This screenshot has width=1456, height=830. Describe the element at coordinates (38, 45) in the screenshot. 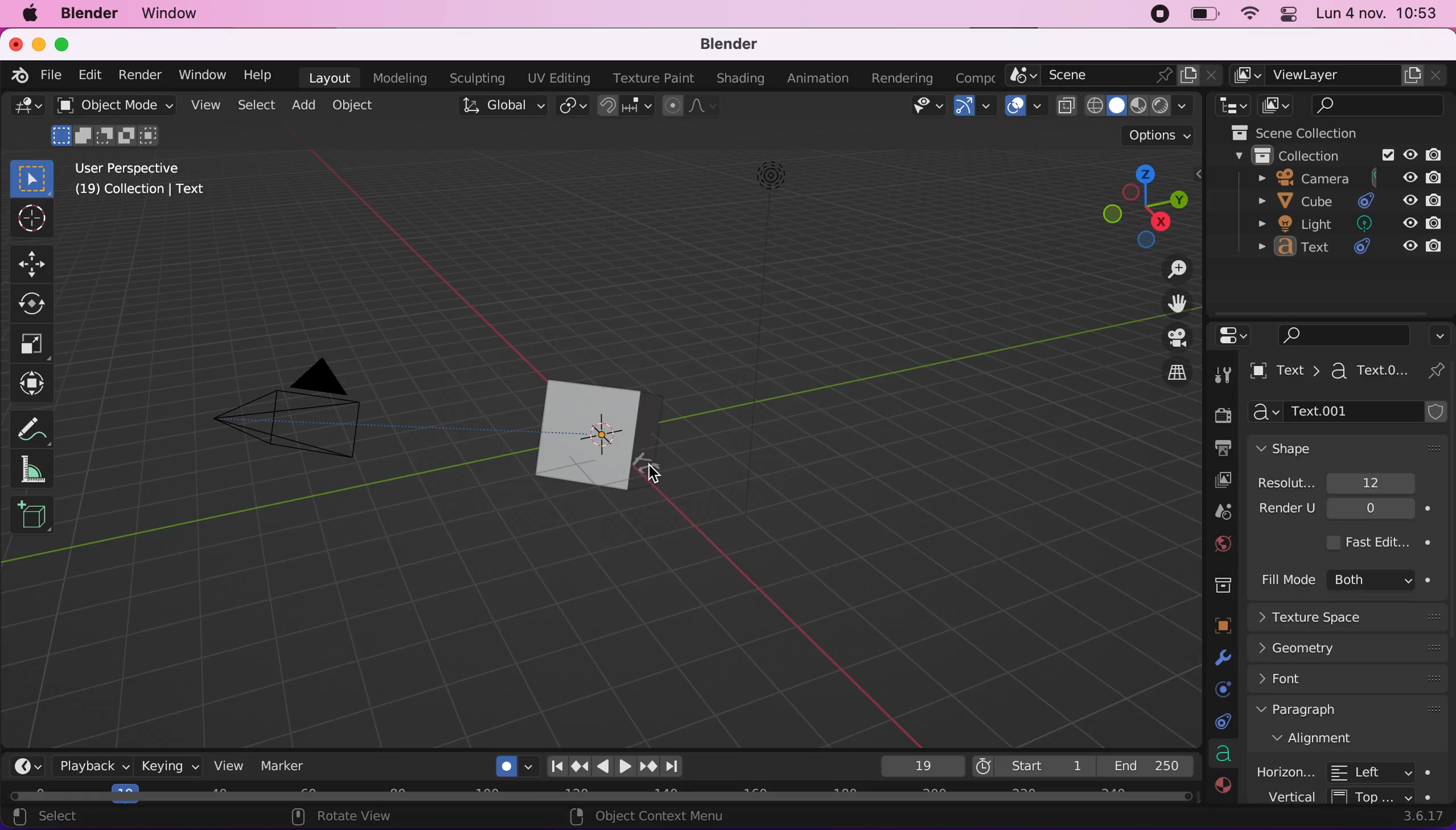

I see `minimize` at that location.